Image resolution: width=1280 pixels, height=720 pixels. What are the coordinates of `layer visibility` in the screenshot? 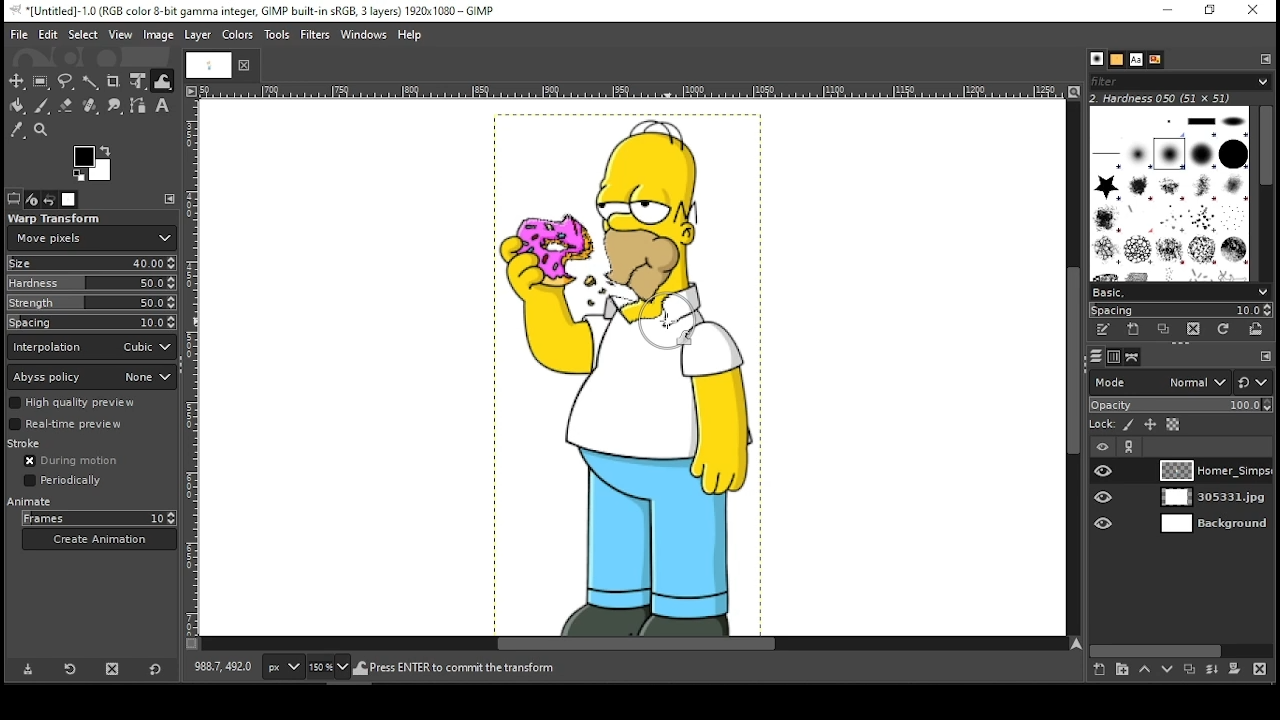 It's located at (1101, 446).